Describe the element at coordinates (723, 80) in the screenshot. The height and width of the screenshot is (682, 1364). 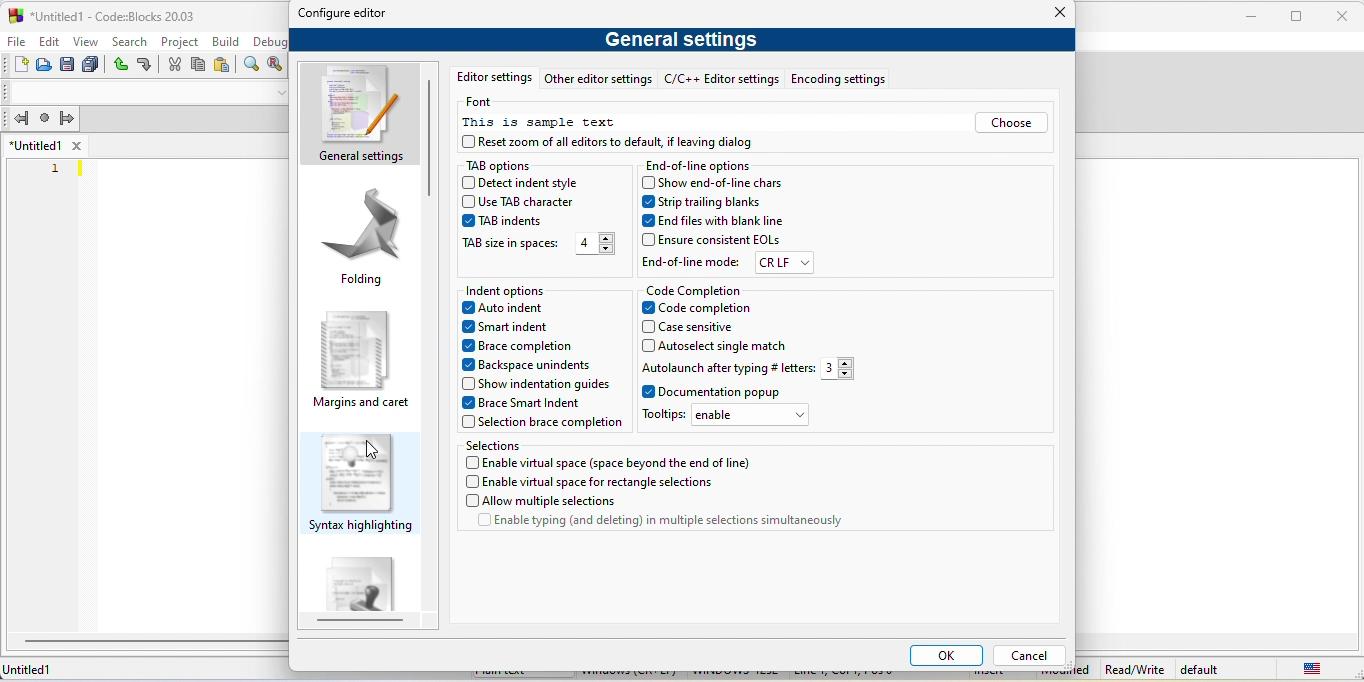
I see `c/c++ editor settings` at that location.